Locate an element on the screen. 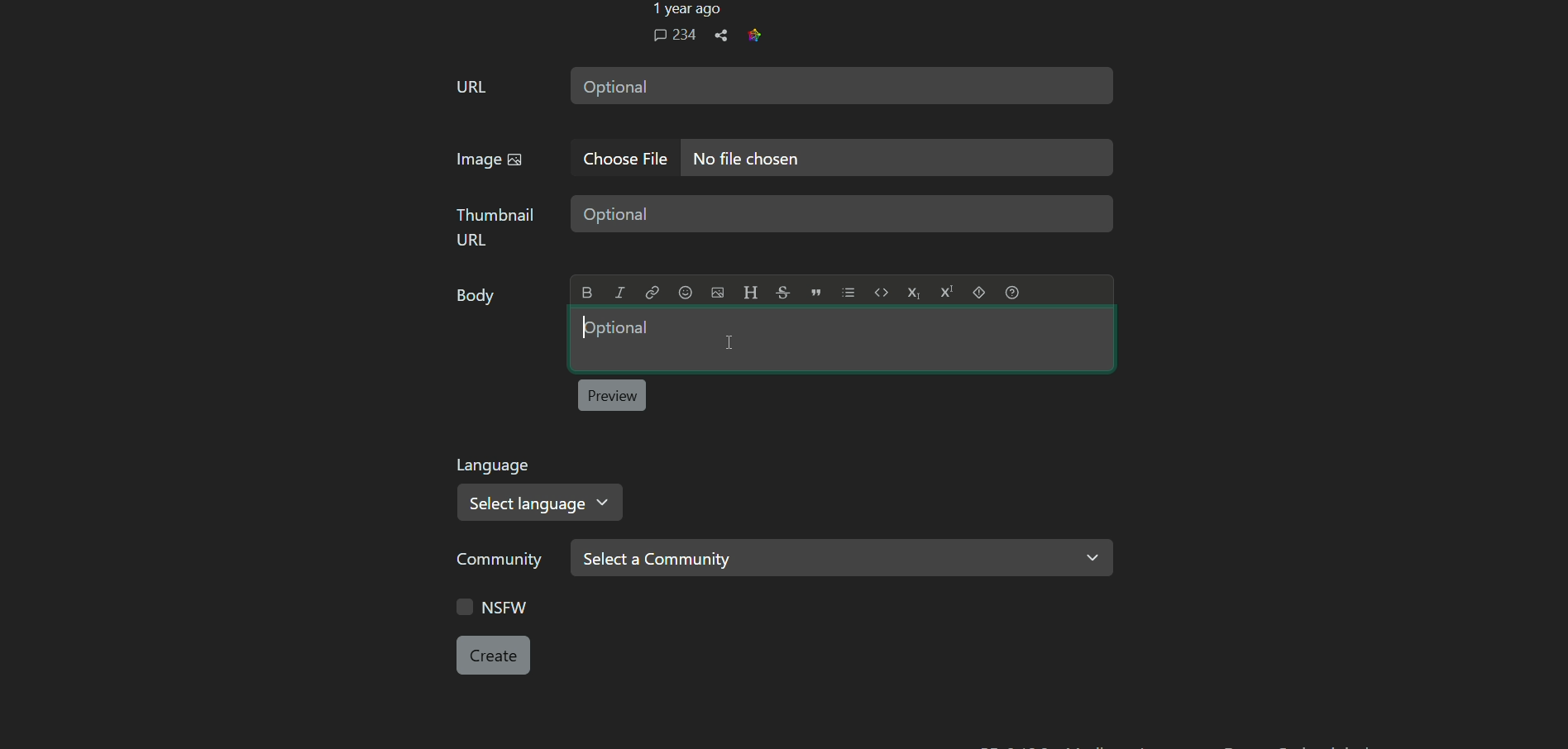  preview is located at coordinates (611, 395).